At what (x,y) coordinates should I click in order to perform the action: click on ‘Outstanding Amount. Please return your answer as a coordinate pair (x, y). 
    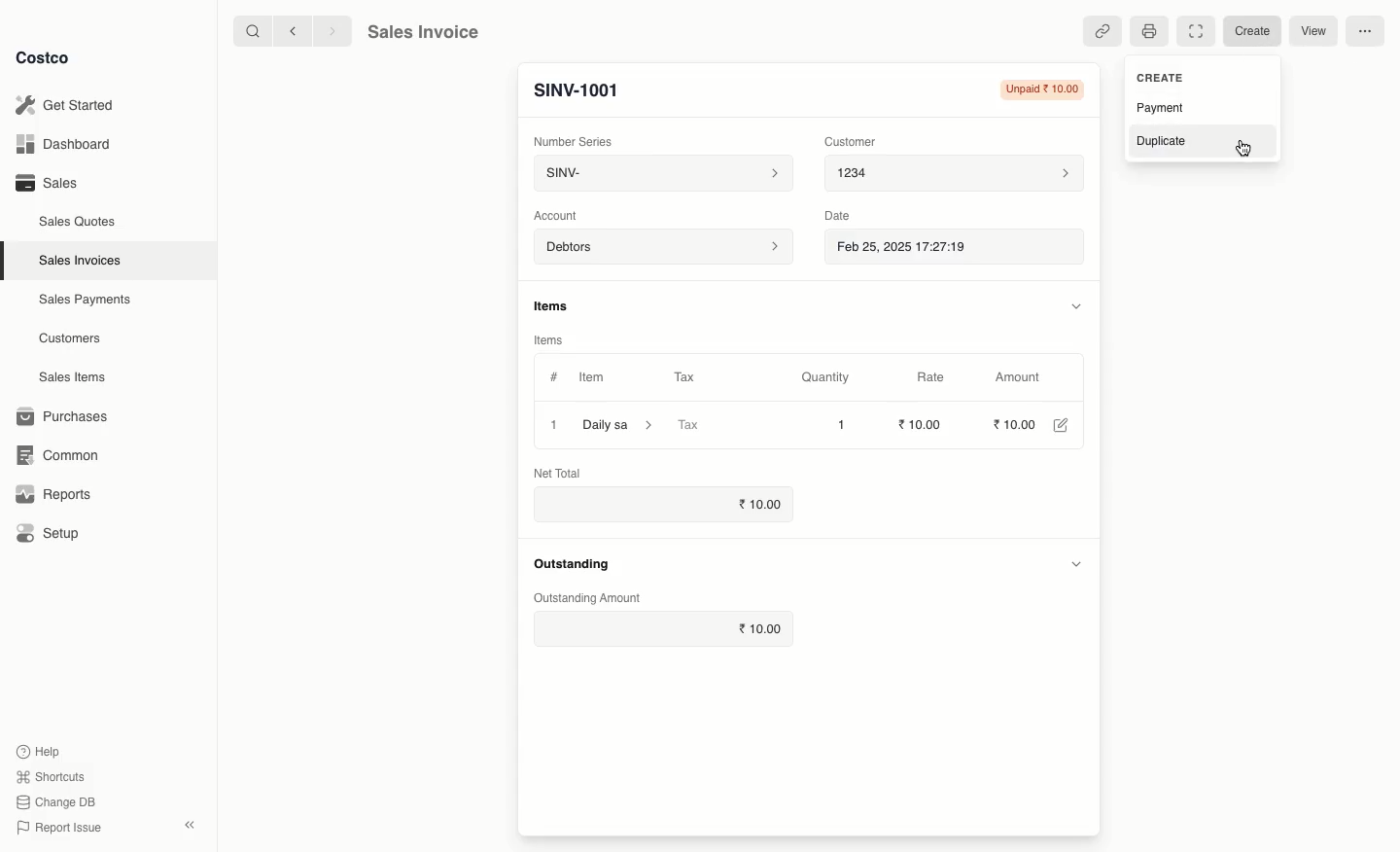
    Looking at the image, I should click on (593, 599).